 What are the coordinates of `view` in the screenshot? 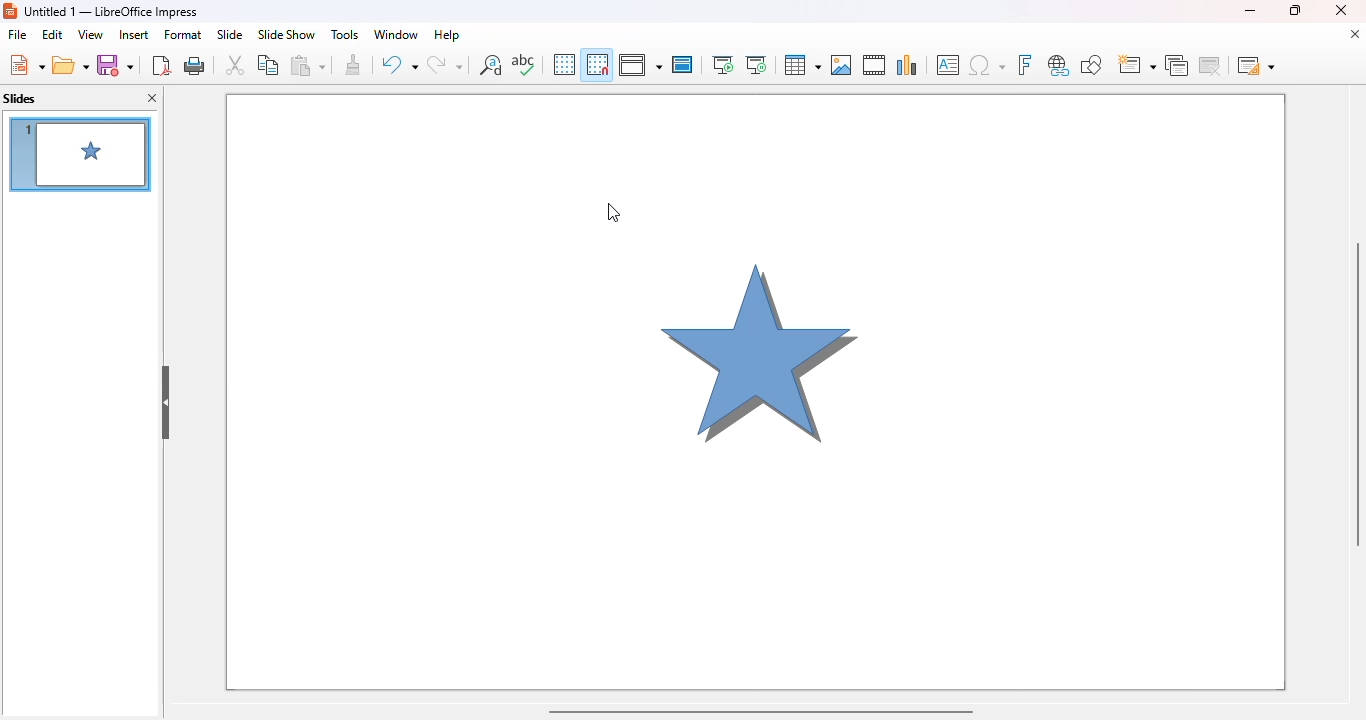 It's located at (90, 35).